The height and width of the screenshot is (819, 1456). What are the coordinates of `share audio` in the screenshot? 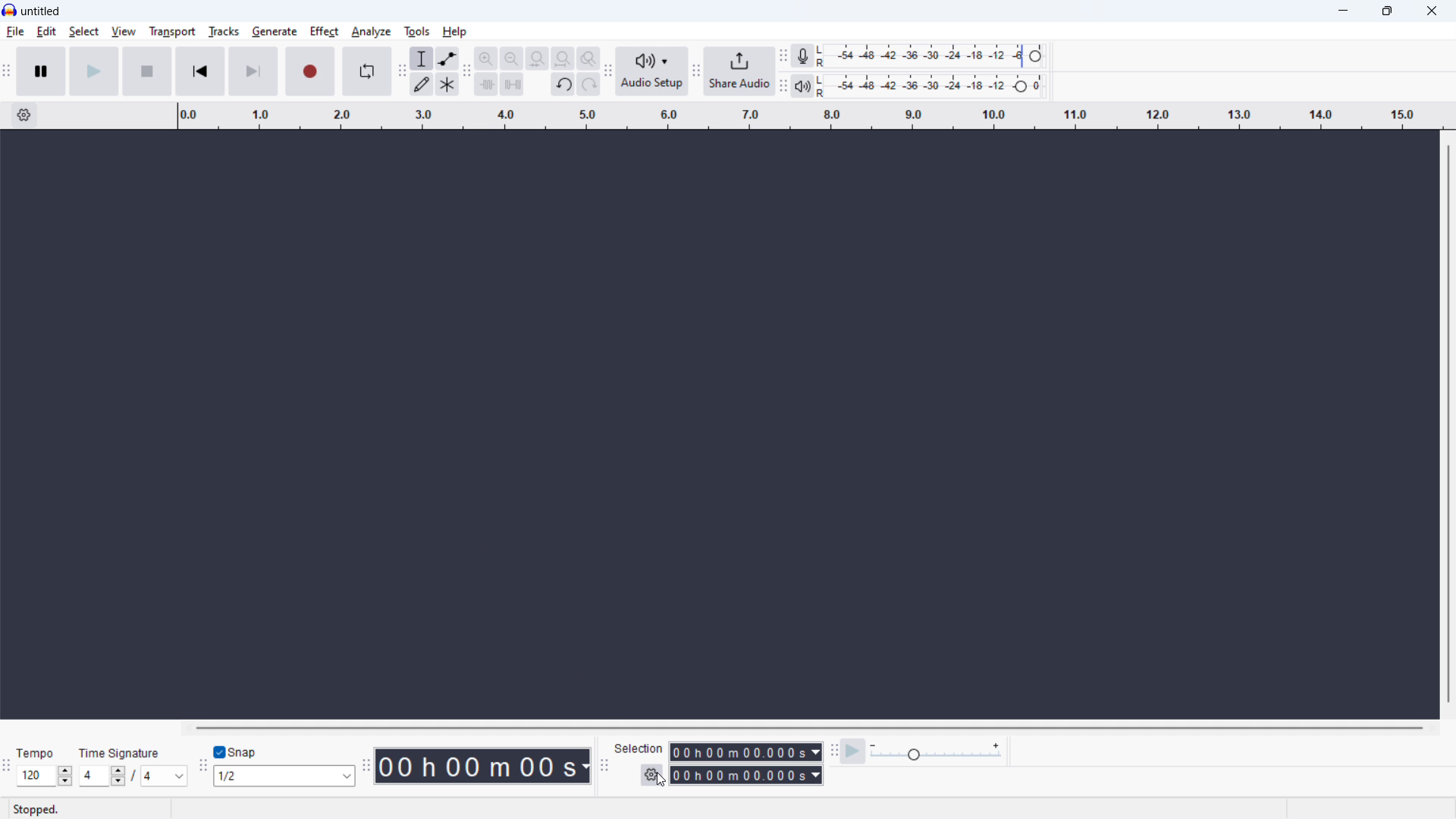 It's located at (739, 71).